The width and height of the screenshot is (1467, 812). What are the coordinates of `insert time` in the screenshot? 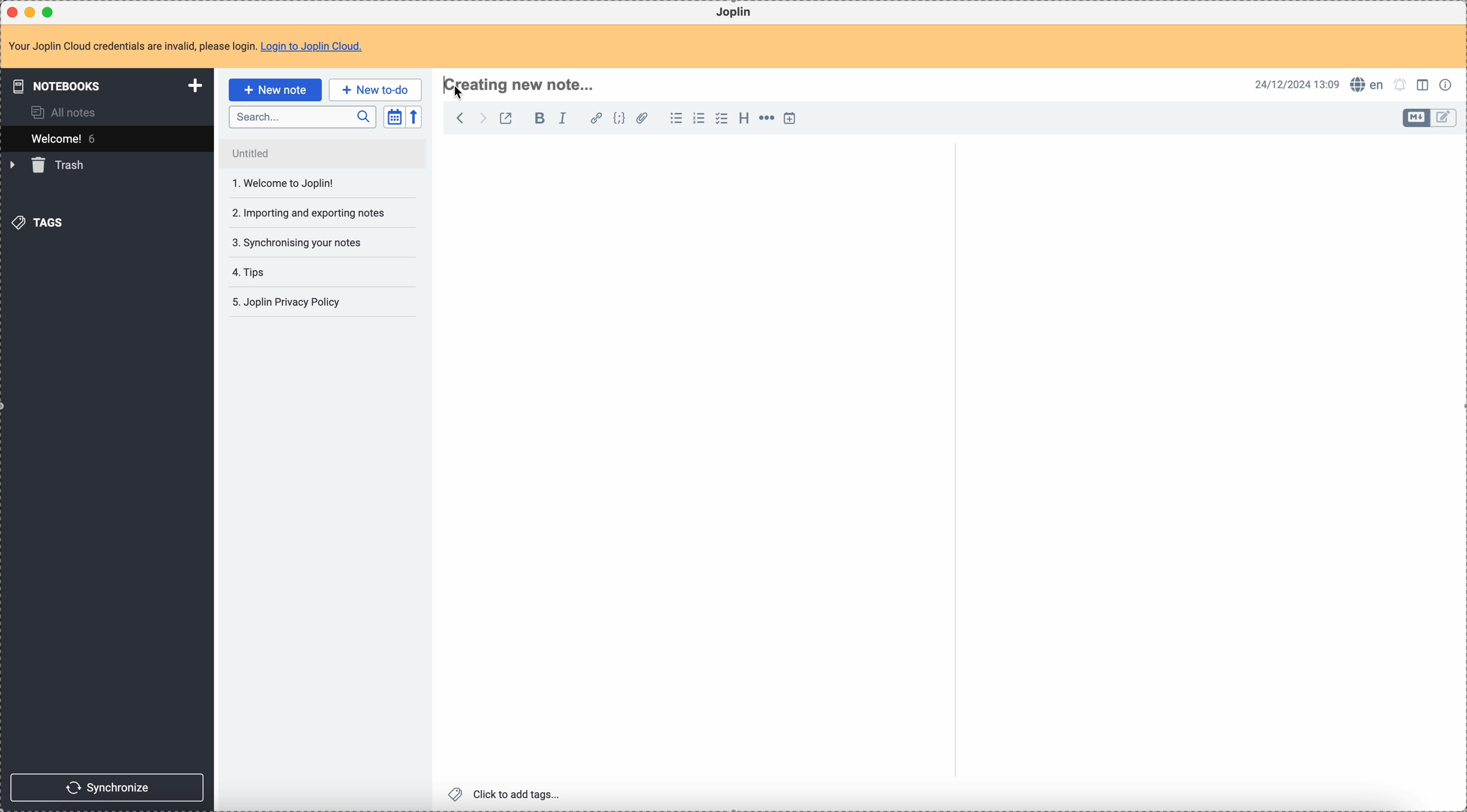 It's located at (789, 118).